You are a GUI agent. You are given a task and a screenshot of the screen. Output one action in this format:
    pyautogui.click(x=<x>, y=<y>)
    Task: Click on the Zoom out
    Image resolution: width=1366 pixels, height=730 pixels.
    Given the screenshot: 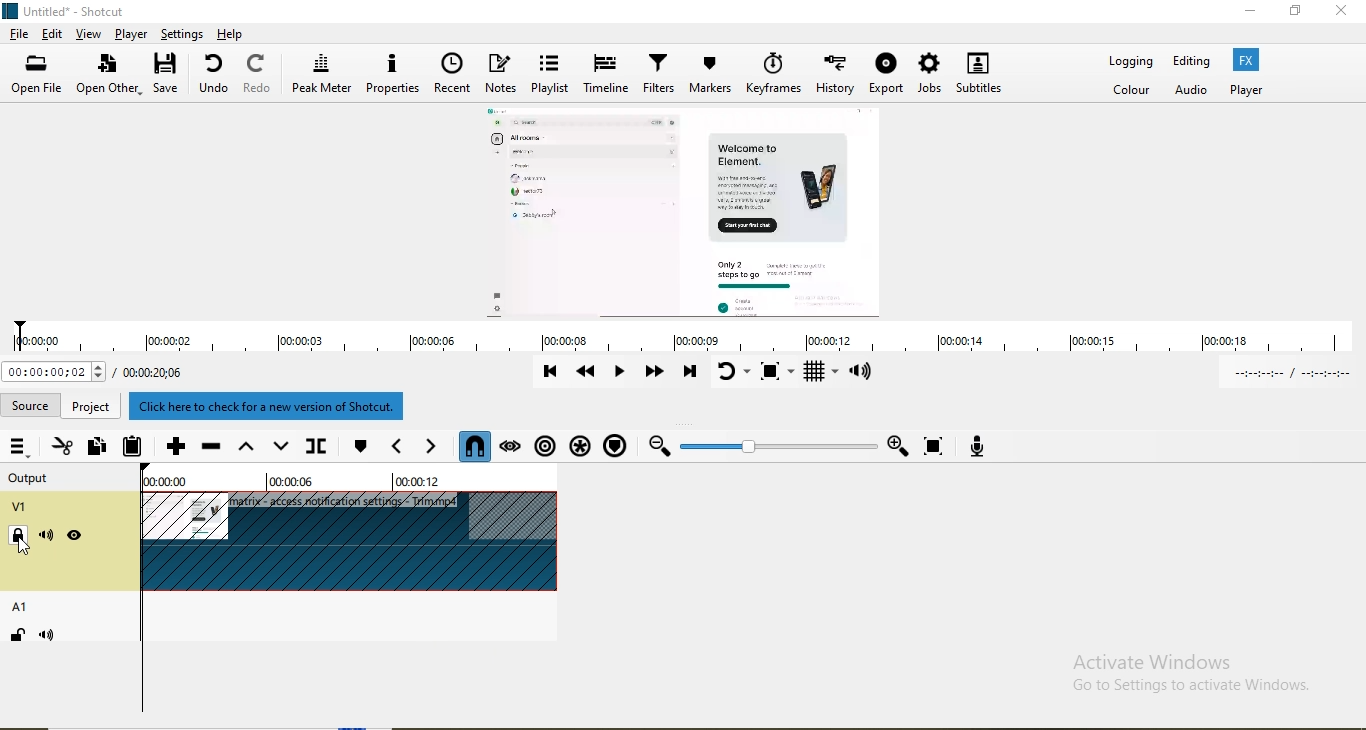 What is the action you would take?
    pyautogui.click(x=658, y=446)
    